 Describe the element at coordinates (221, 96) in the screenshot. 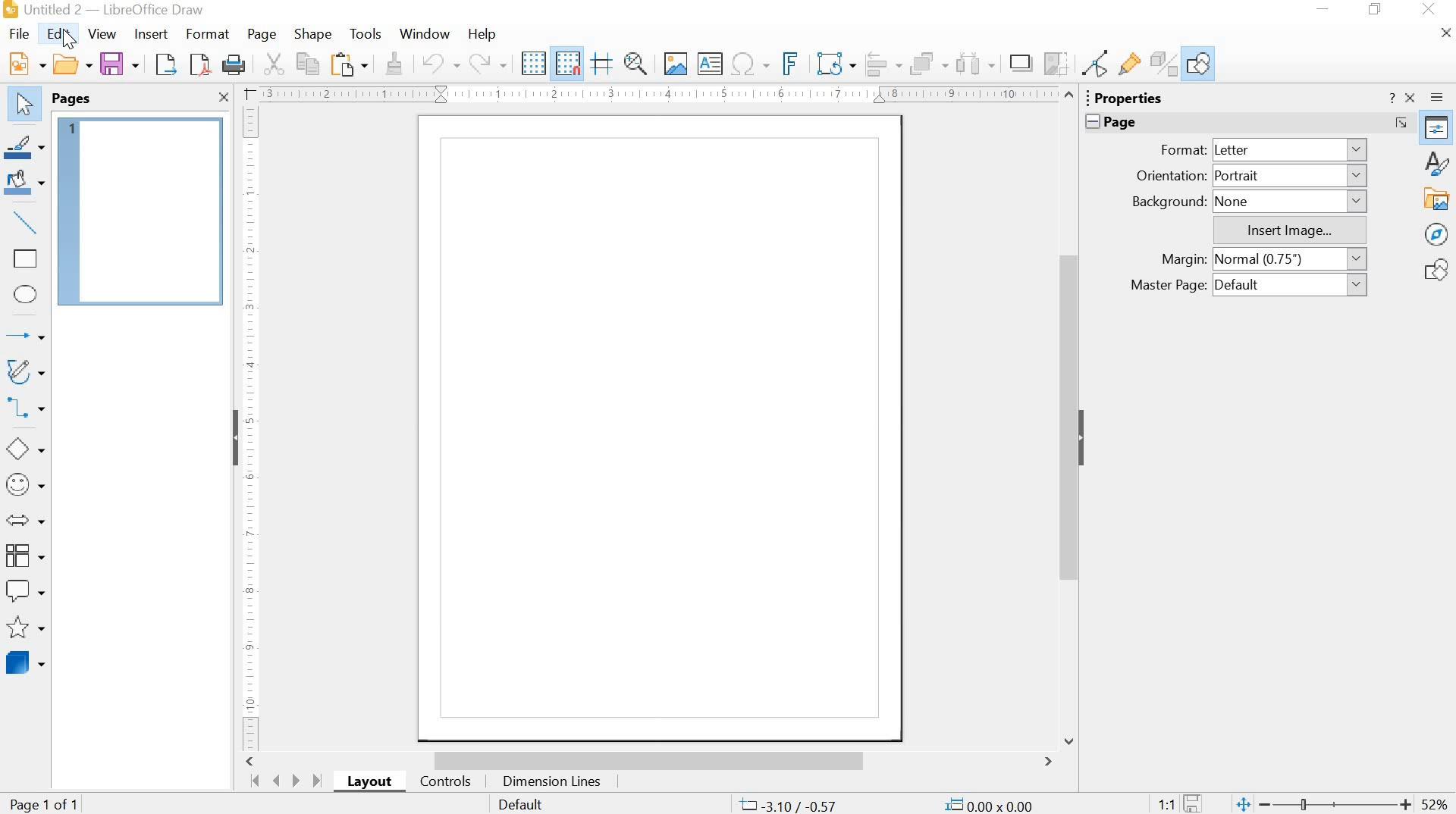

I see `Close Pane` at that location.